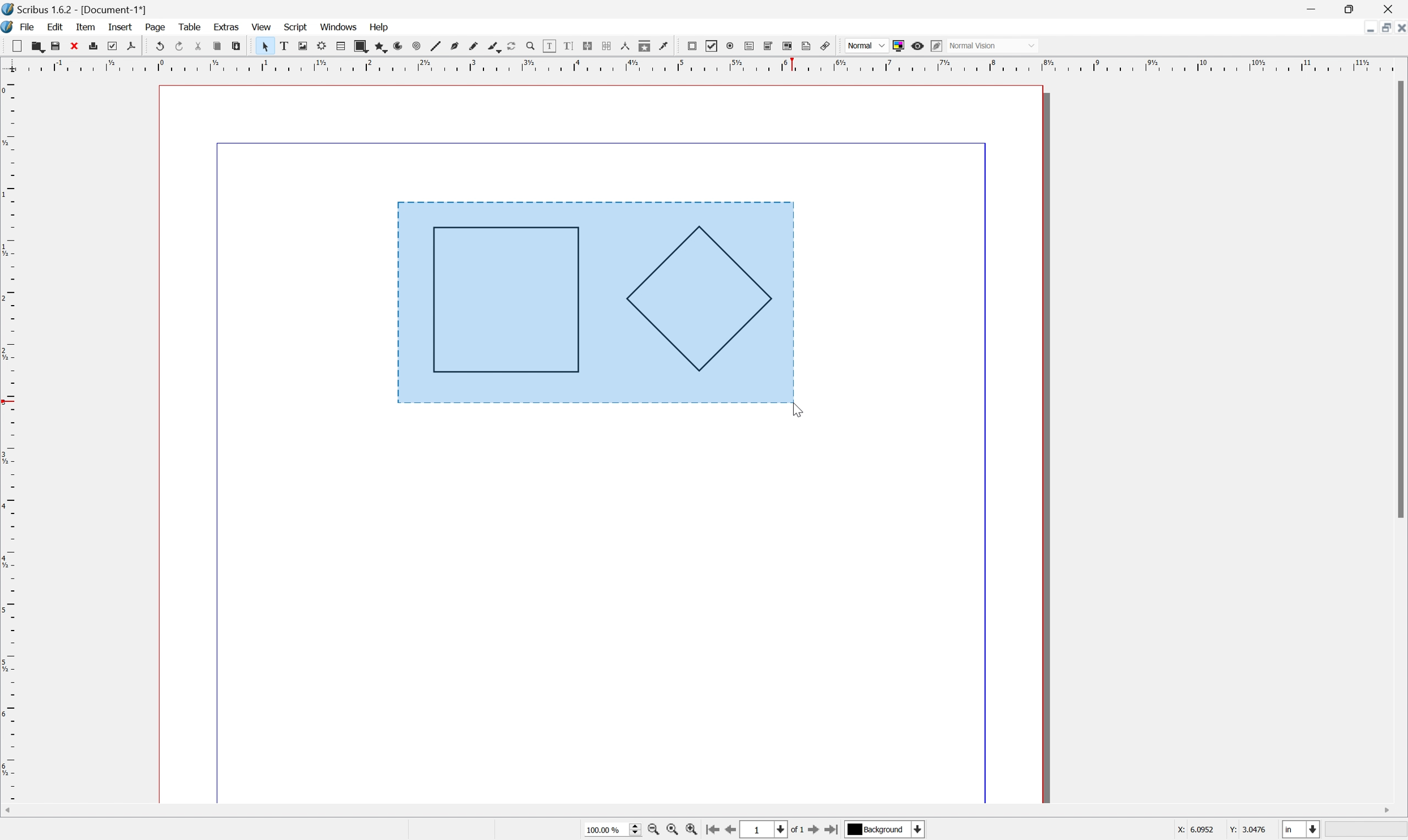  Describe the element at coordinates (1365, 29) in the screenshot. I see `Minimize` at that location.